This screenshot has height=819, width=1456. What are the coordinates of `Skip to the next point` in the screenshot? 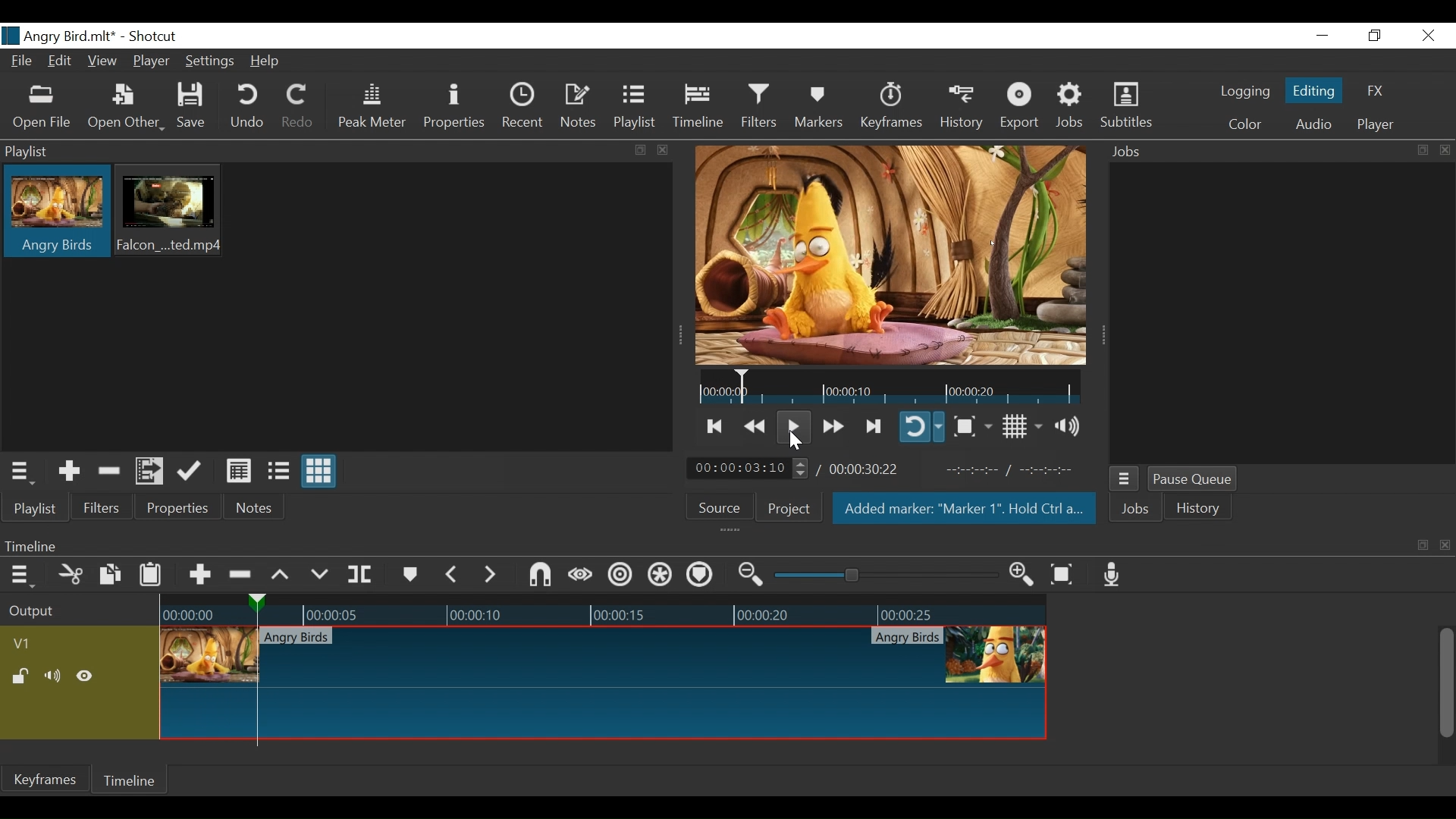 It's located at (872, 425).